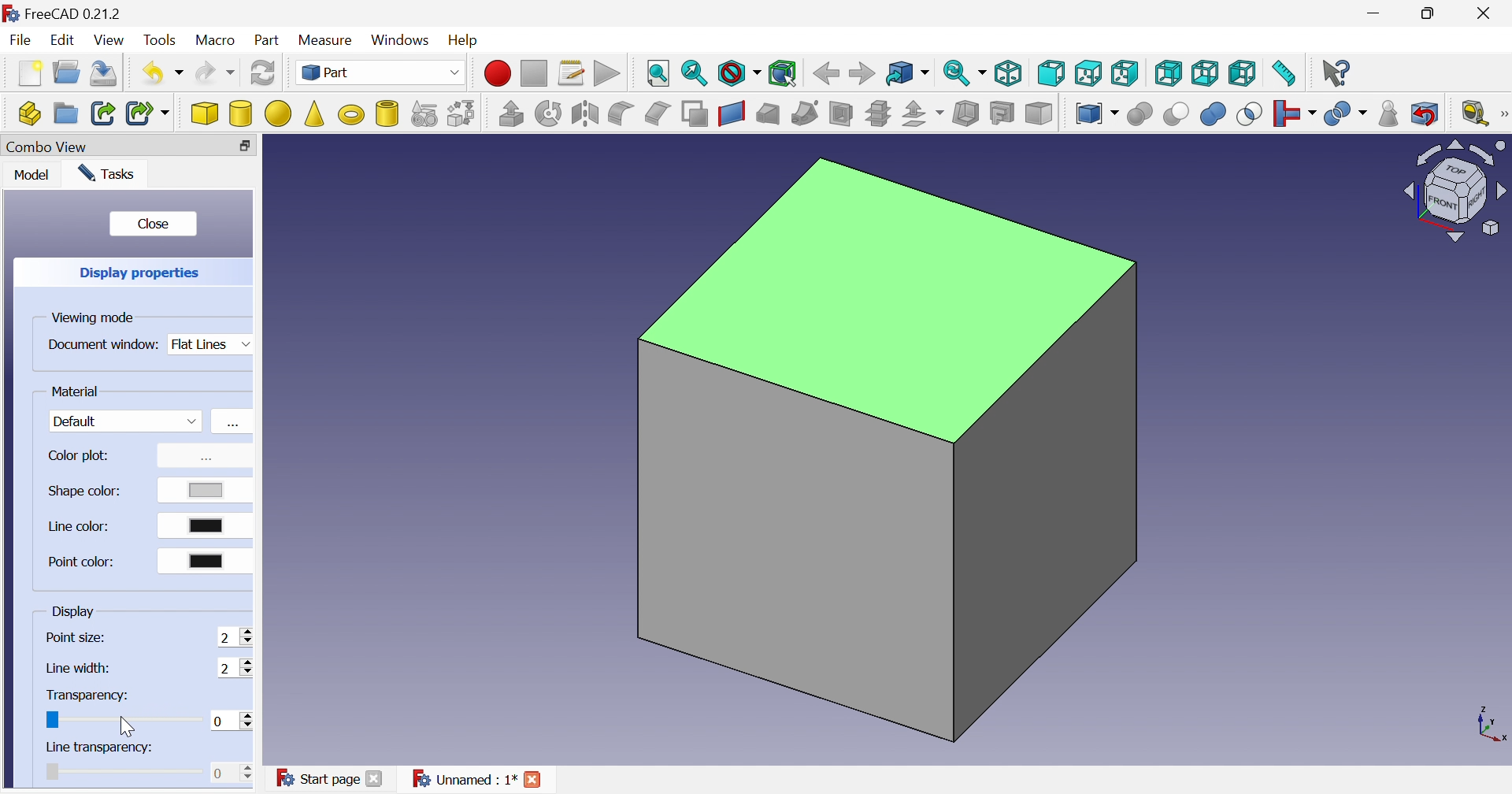  What do you see at coordinates (659, 74) in the screenshot?
I see `Fit style` at bounding box center [659, 74].